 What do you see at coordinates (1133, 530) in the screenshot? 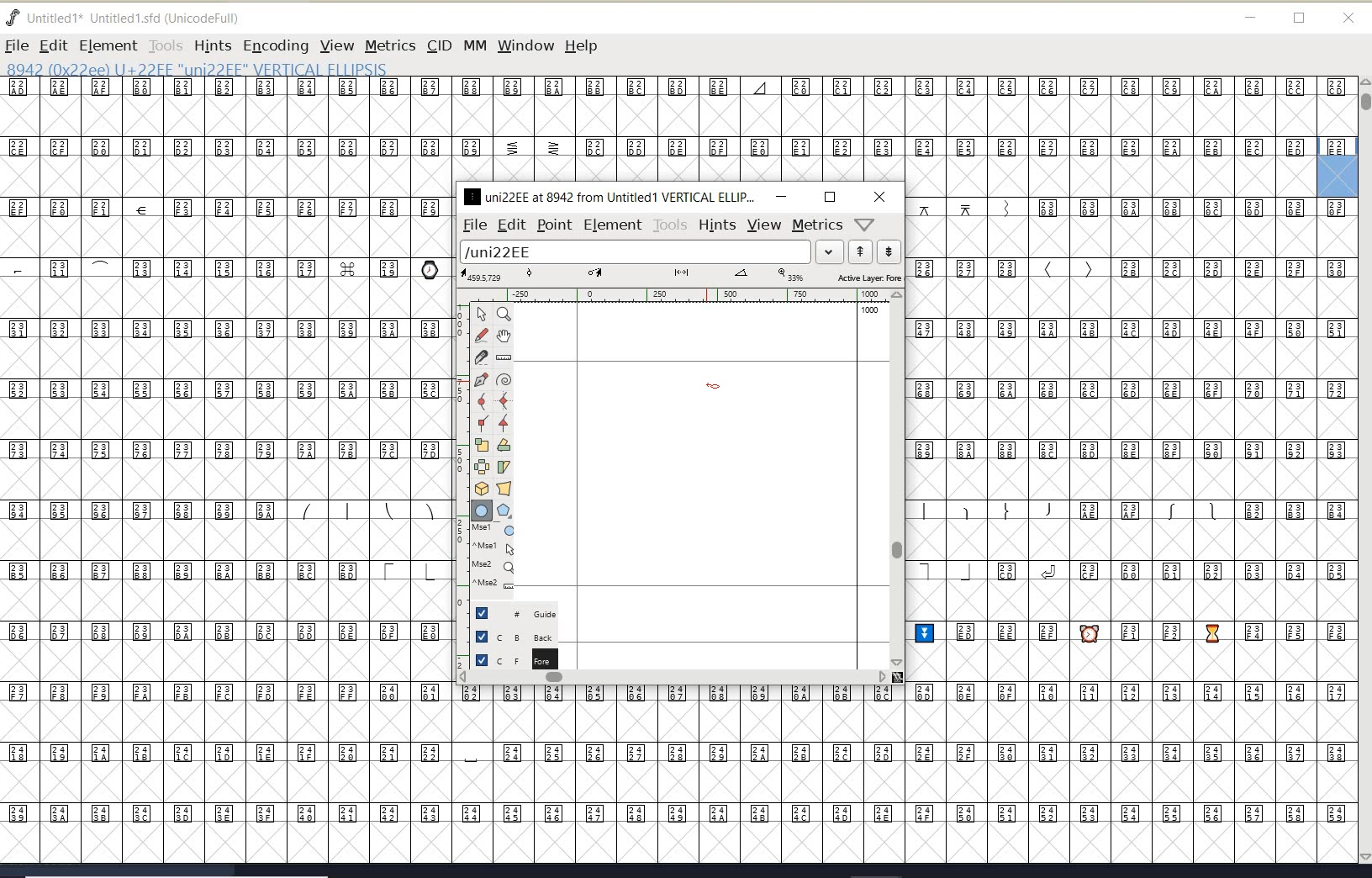
I see `GLYPHY CHARACTERS & NUMBERS` at bounding box center [1133, 530].